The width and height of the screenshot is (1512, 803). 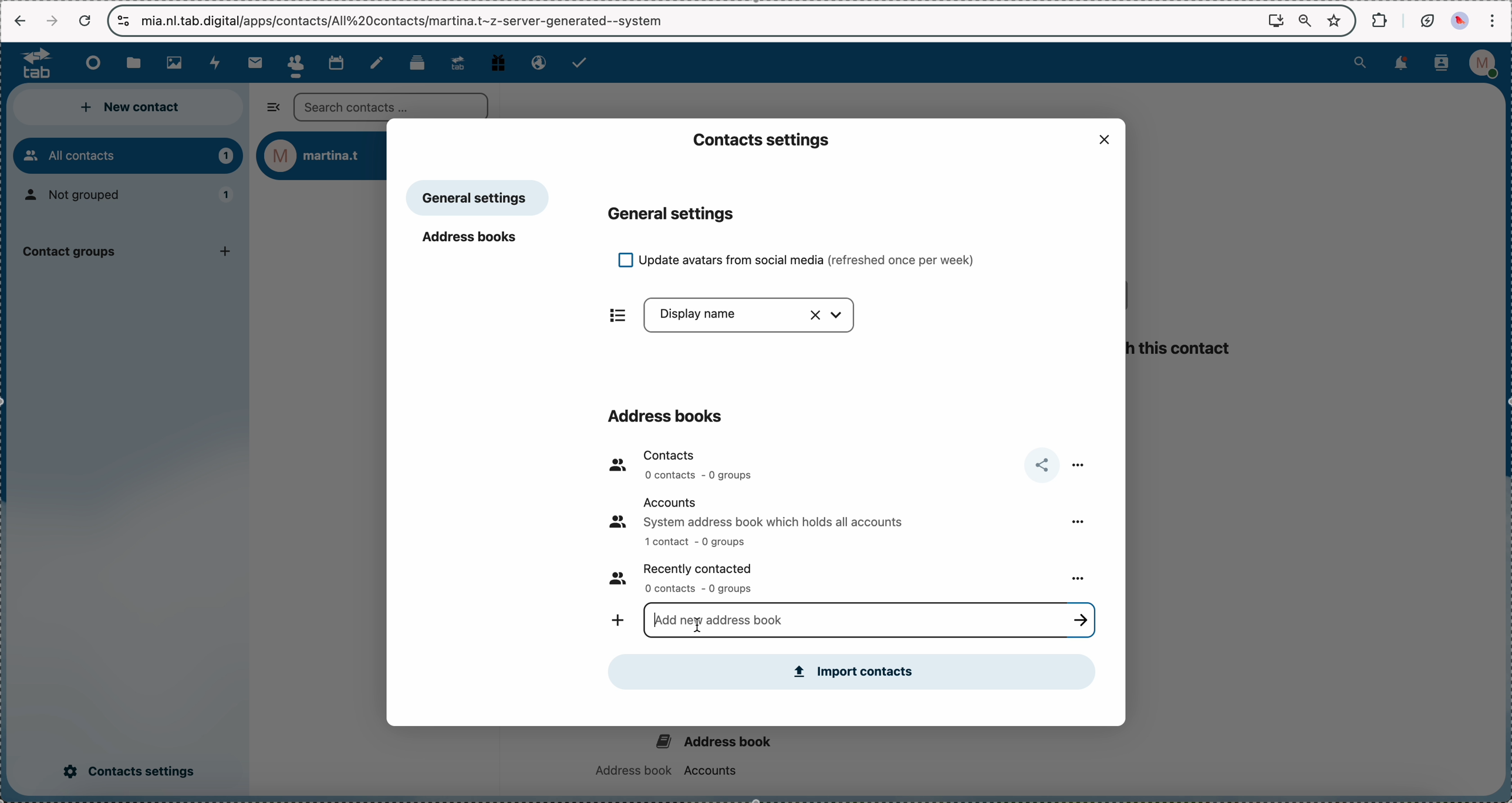 I want to click on dashboard, so click(x=88, y=63).